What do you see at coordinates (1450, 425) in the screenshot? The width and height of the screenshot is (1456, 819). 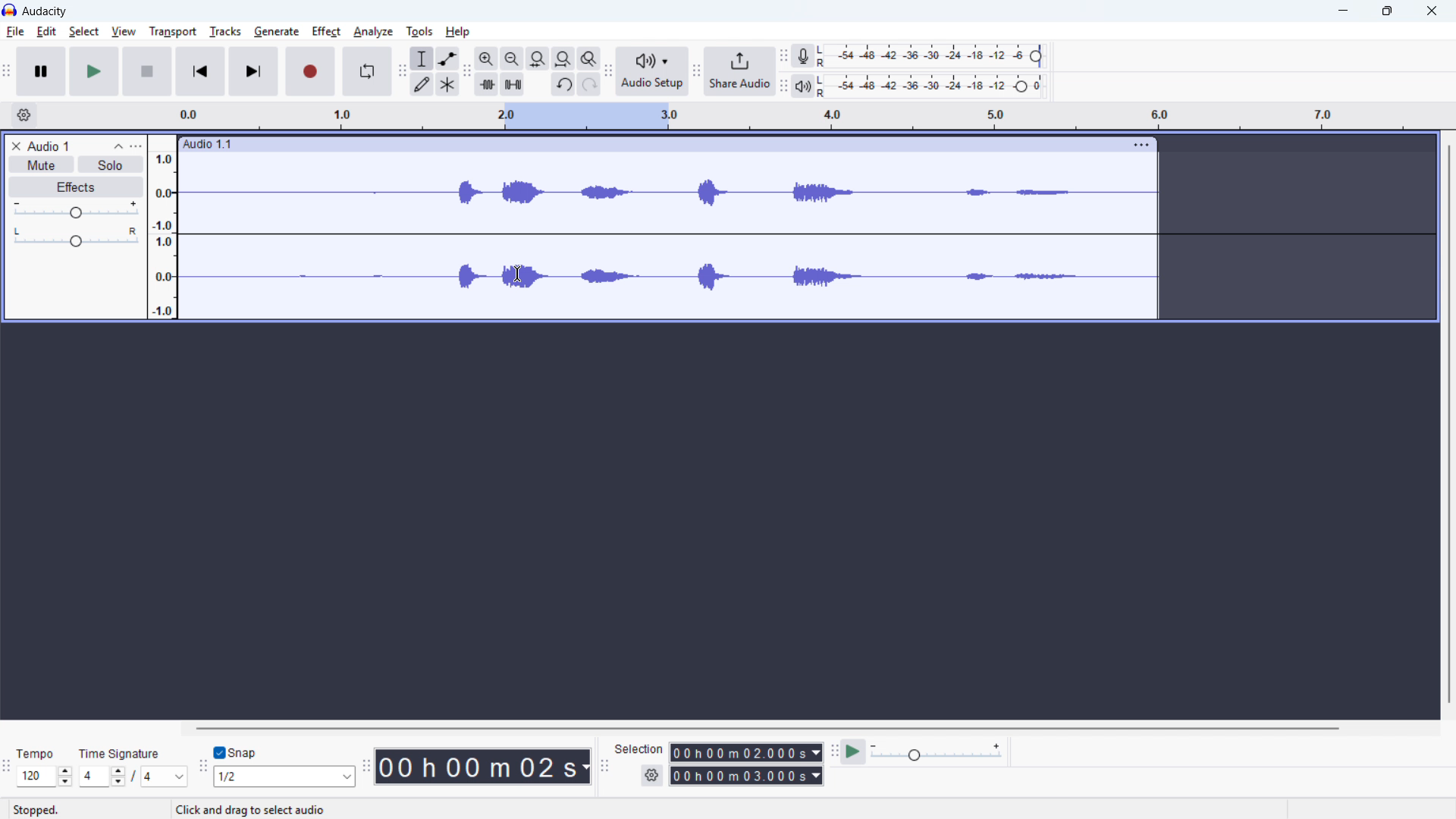 I see `Vertical scroll bar` at bounding box center [1450, 425].